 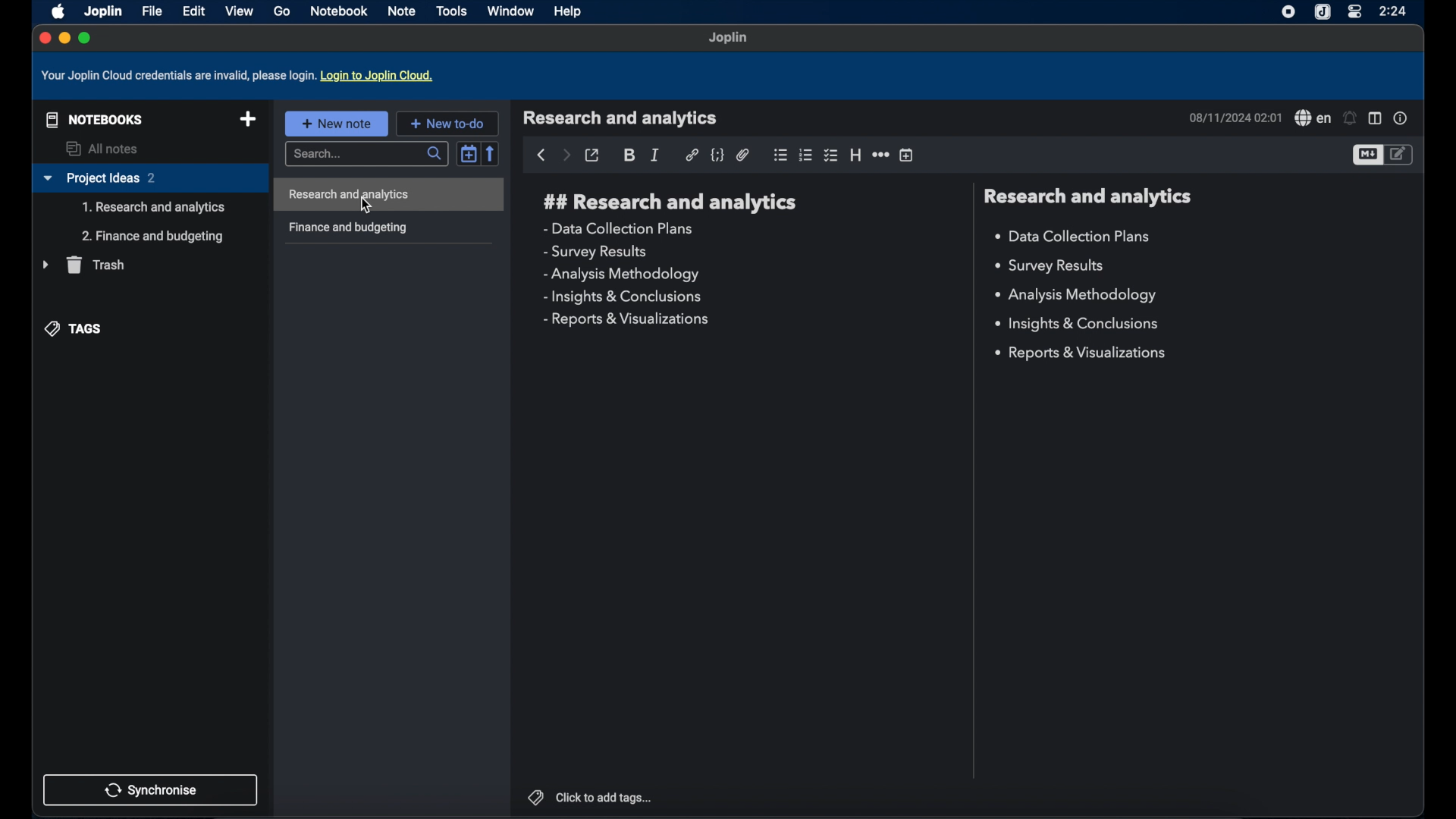 I want to click on screen recorder icon, so click(x=1285, y=12).